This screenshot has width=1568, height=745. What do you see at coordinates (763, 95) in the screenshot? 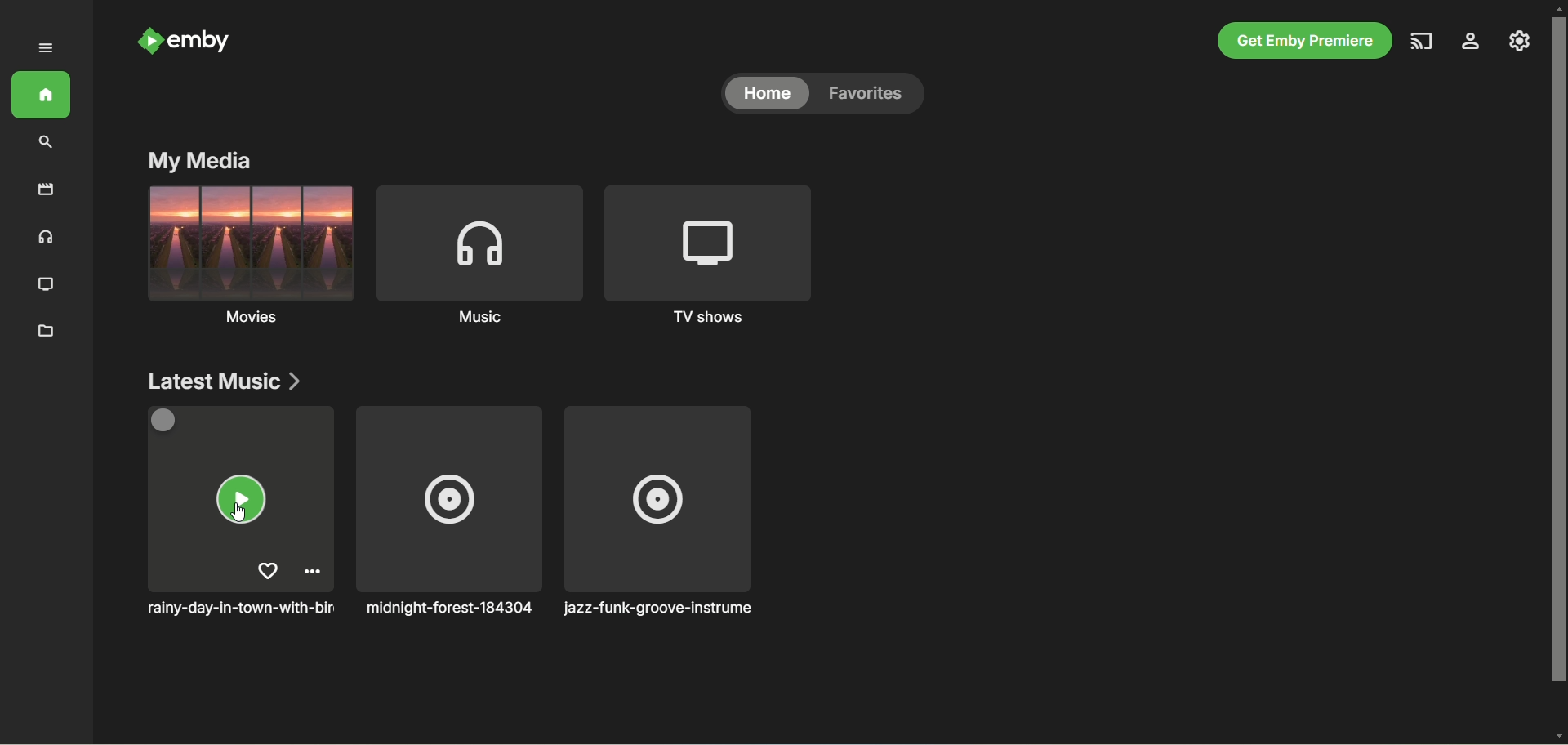
I see `home` at bounding box center [763, 95].